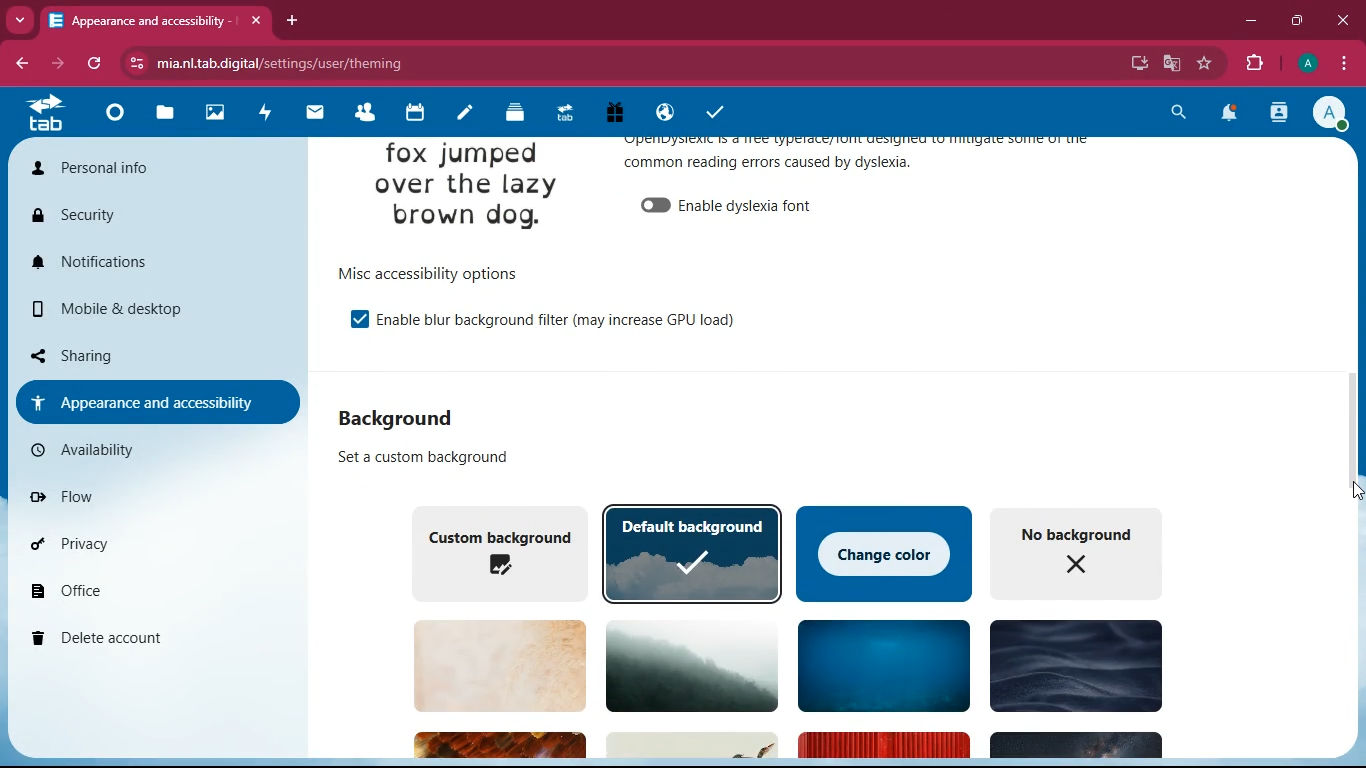  I want to click on on, so click(357, 318).